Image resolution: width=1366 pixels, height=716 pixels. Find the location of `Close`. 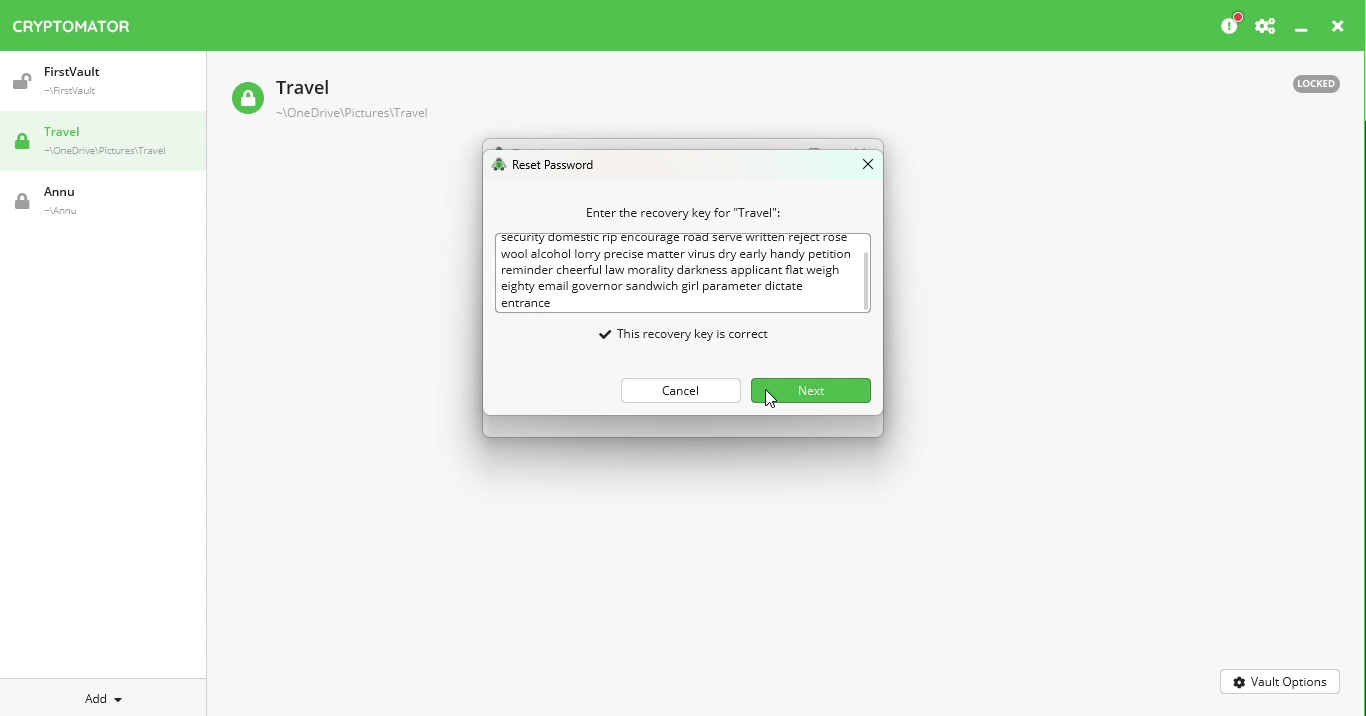

Close is located at coordinates (859, 168).